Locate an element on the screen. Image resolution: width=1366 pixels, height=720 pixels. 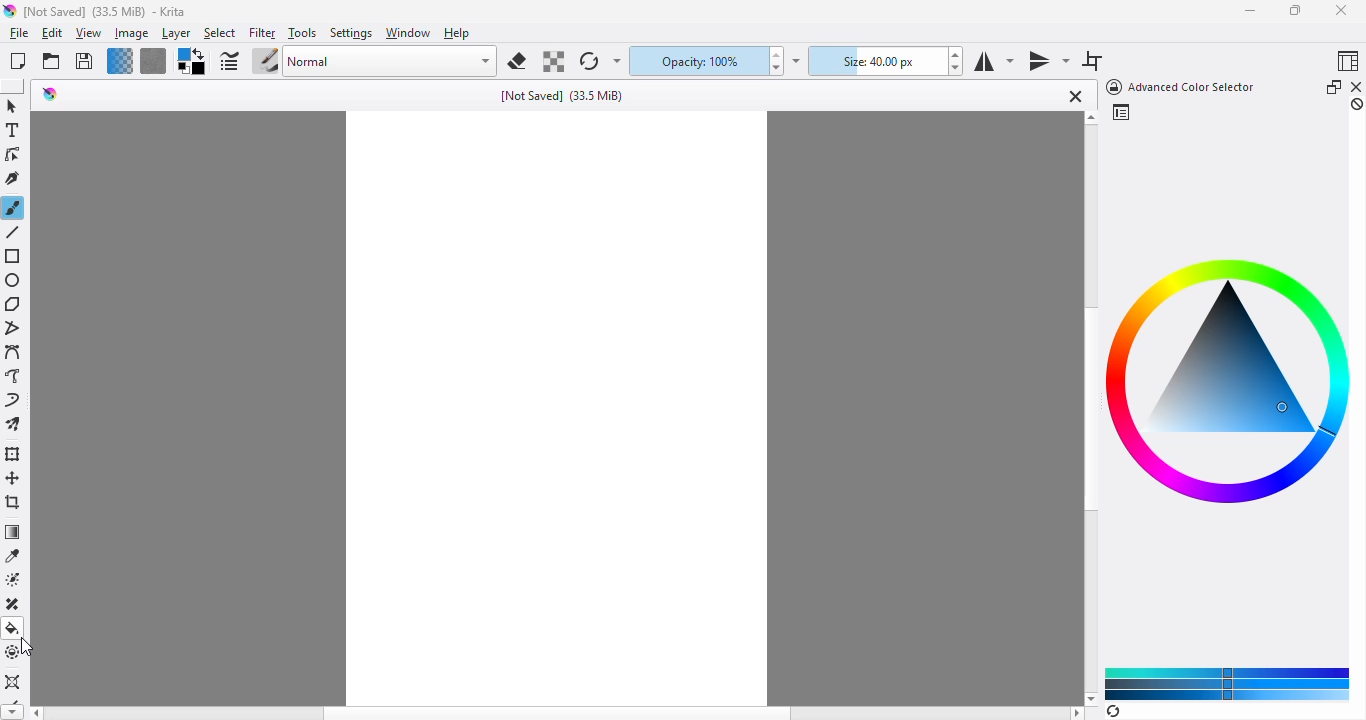
scroll left is located at coordinates (35, 713).